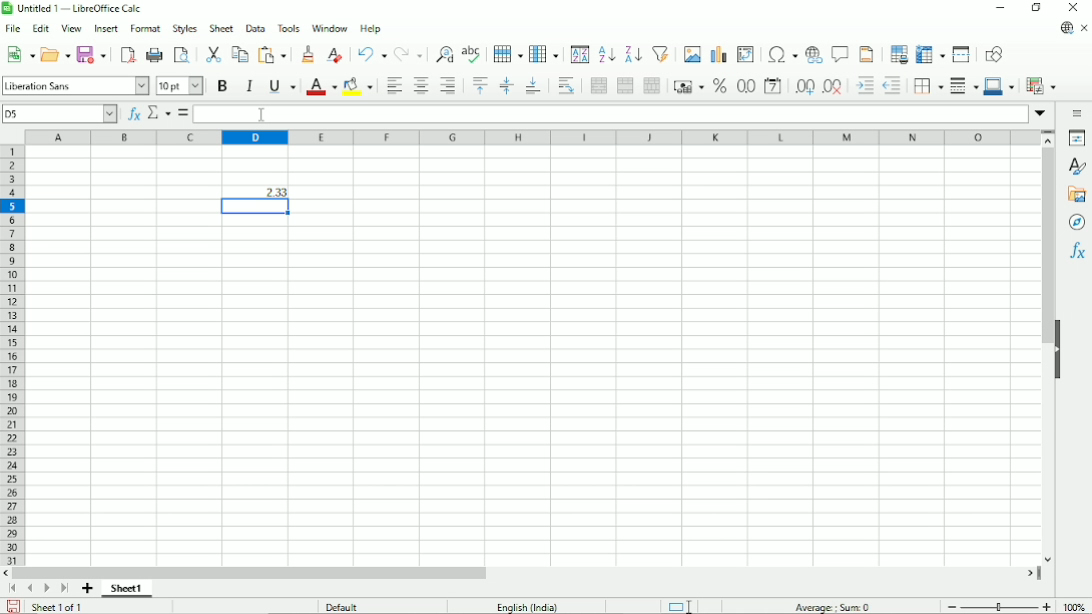  I want to click on Border color, so click(1001, 87).